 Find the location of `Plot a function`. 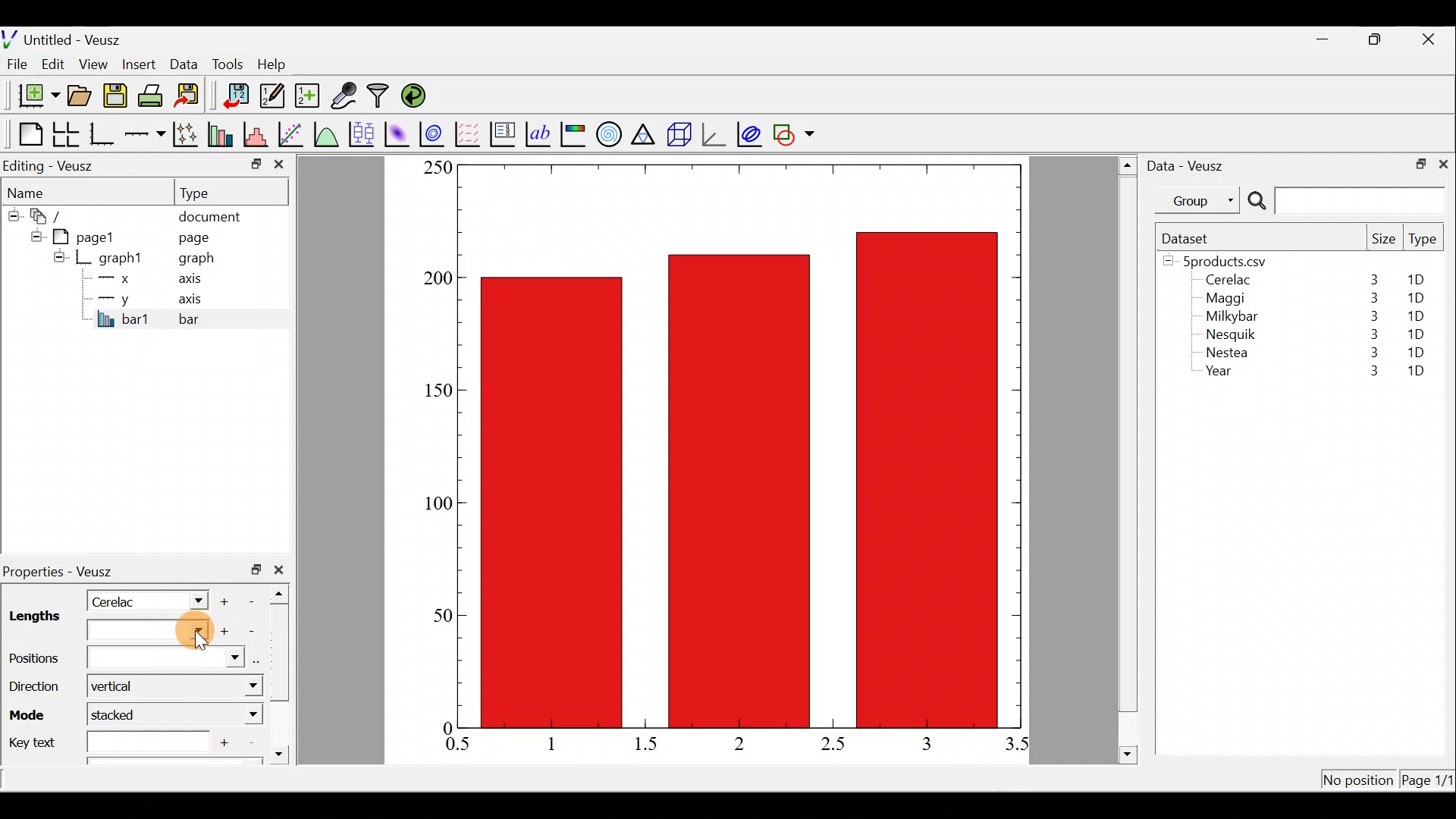

Plot a function is located at coordinates (327, 133).